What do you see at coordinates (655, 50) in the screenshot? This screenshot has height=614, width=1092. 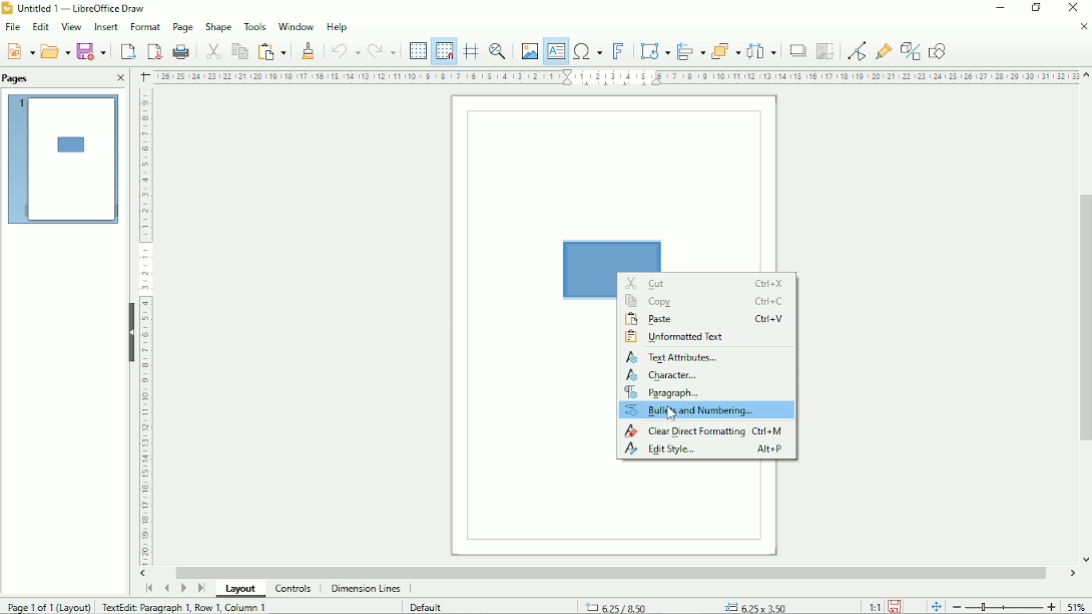 I see `Transformation` at bounding box center [655, 50].